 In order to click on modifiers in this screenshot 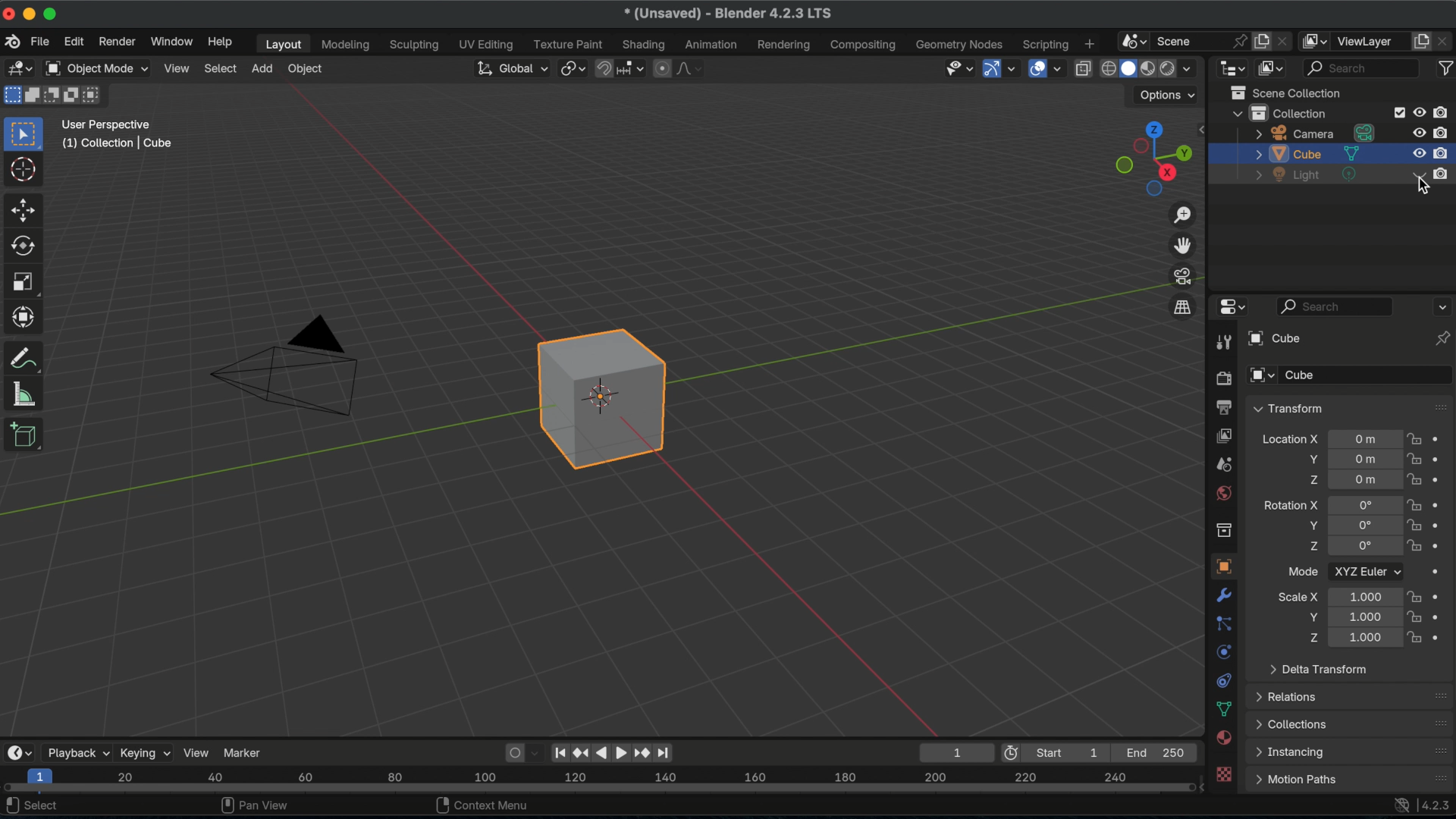, I will do `click(1224, 596)`.